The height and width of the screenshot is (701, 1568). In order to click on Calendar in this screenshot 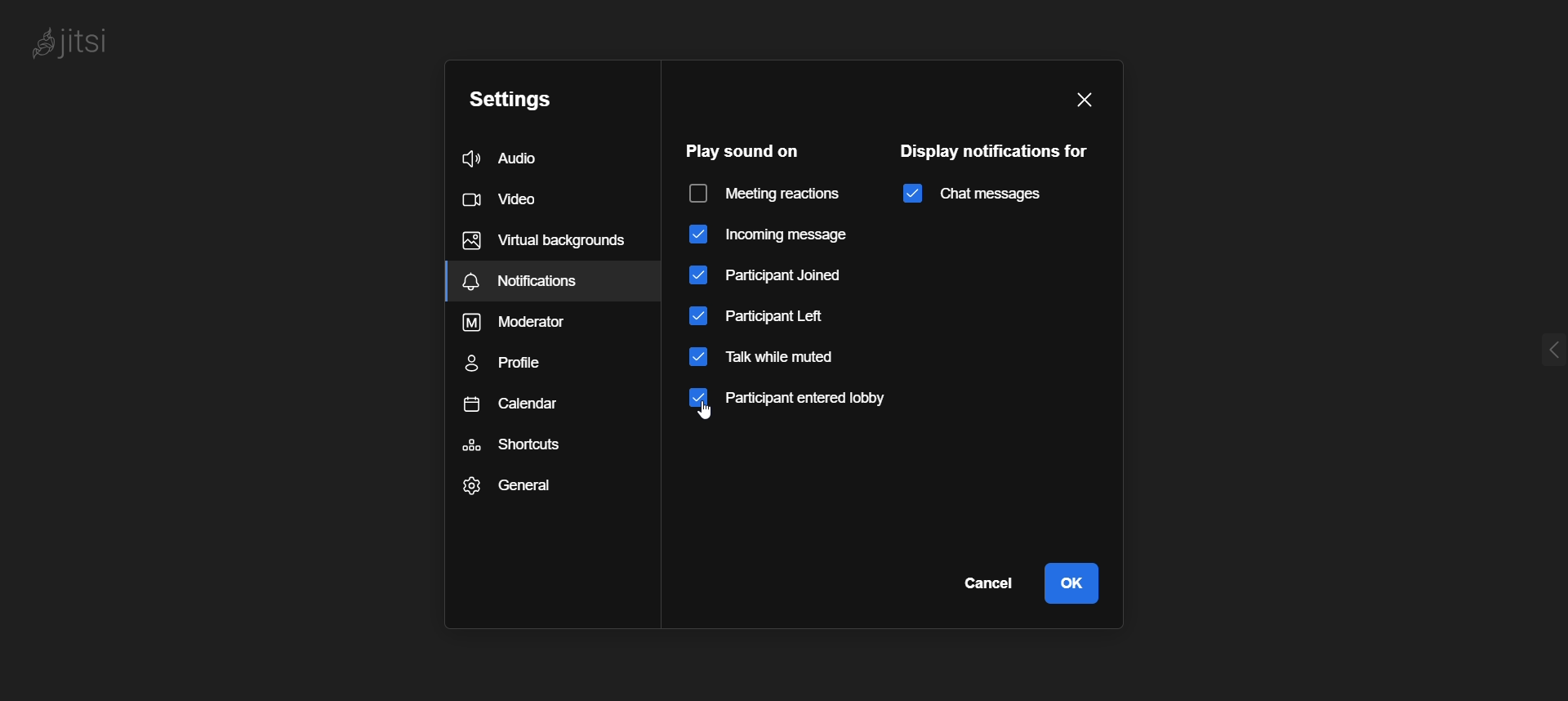, I will do `click(514, 403)`.